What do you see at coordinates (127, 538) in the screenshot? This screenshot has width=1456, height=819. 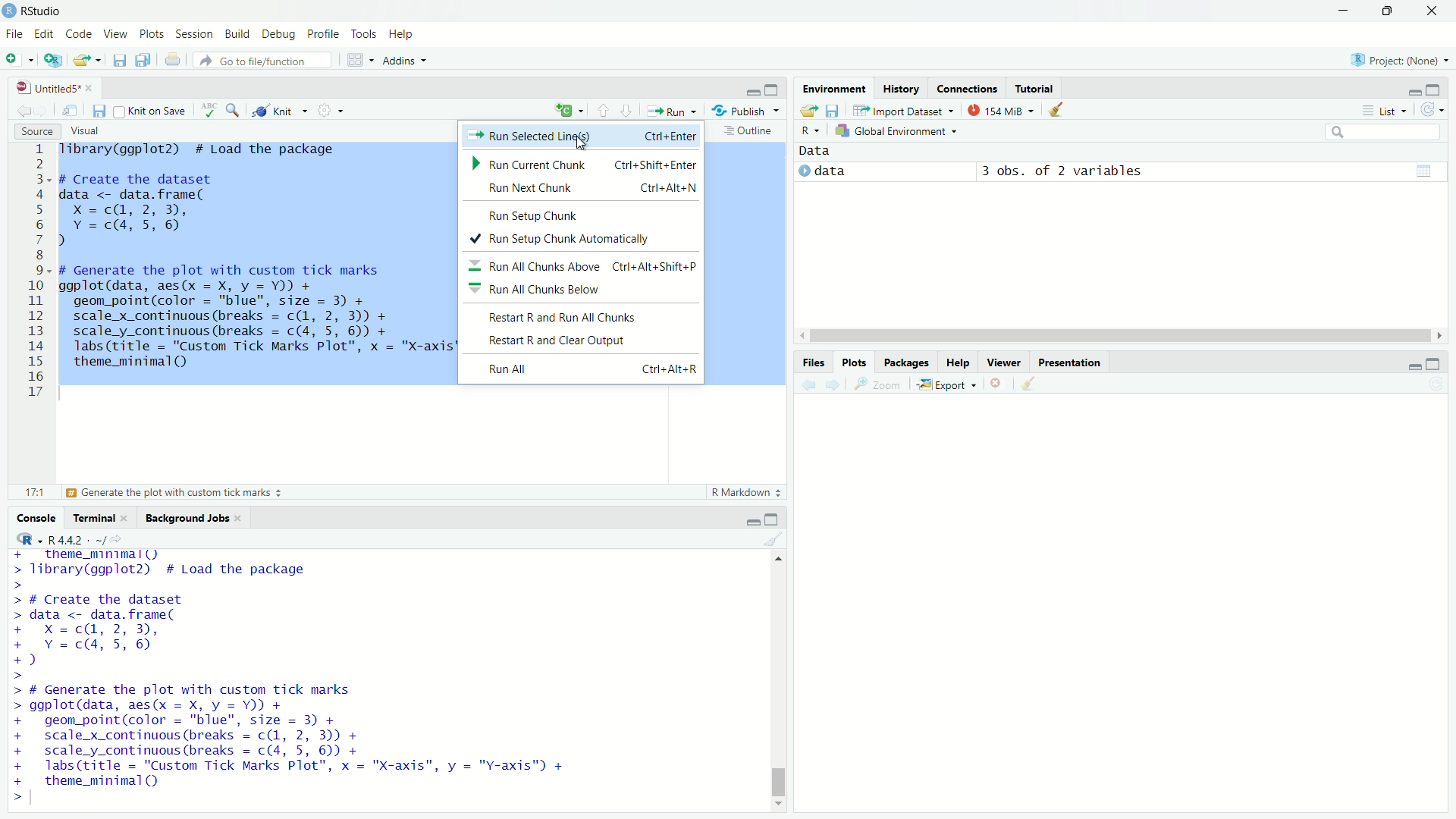 I see `view the current working directory` at bounding box center [127, 538].